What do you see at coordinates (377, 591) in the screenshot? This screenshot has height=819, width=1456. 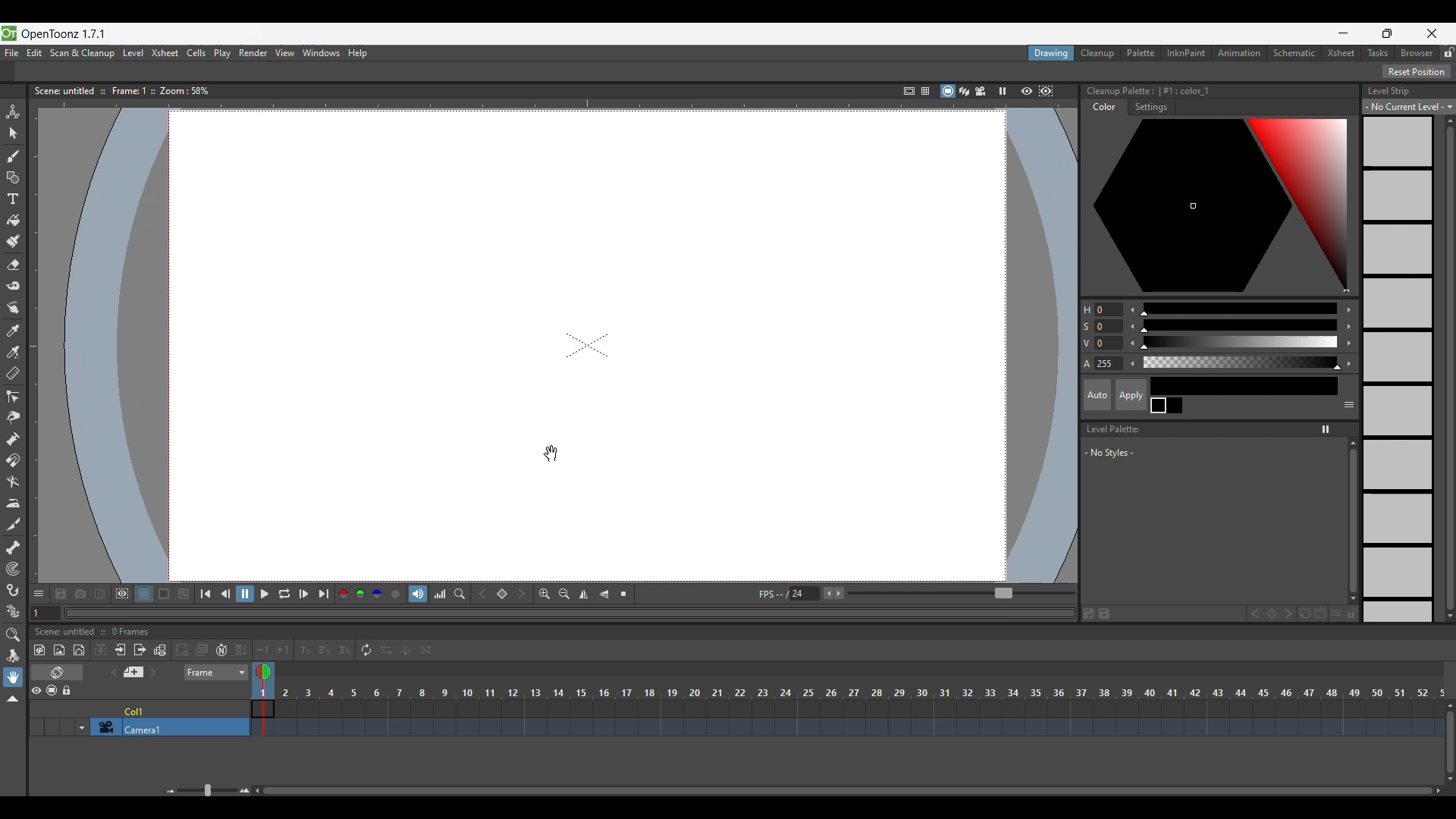 I see `Blue channel` at bounding box center [377, 591].